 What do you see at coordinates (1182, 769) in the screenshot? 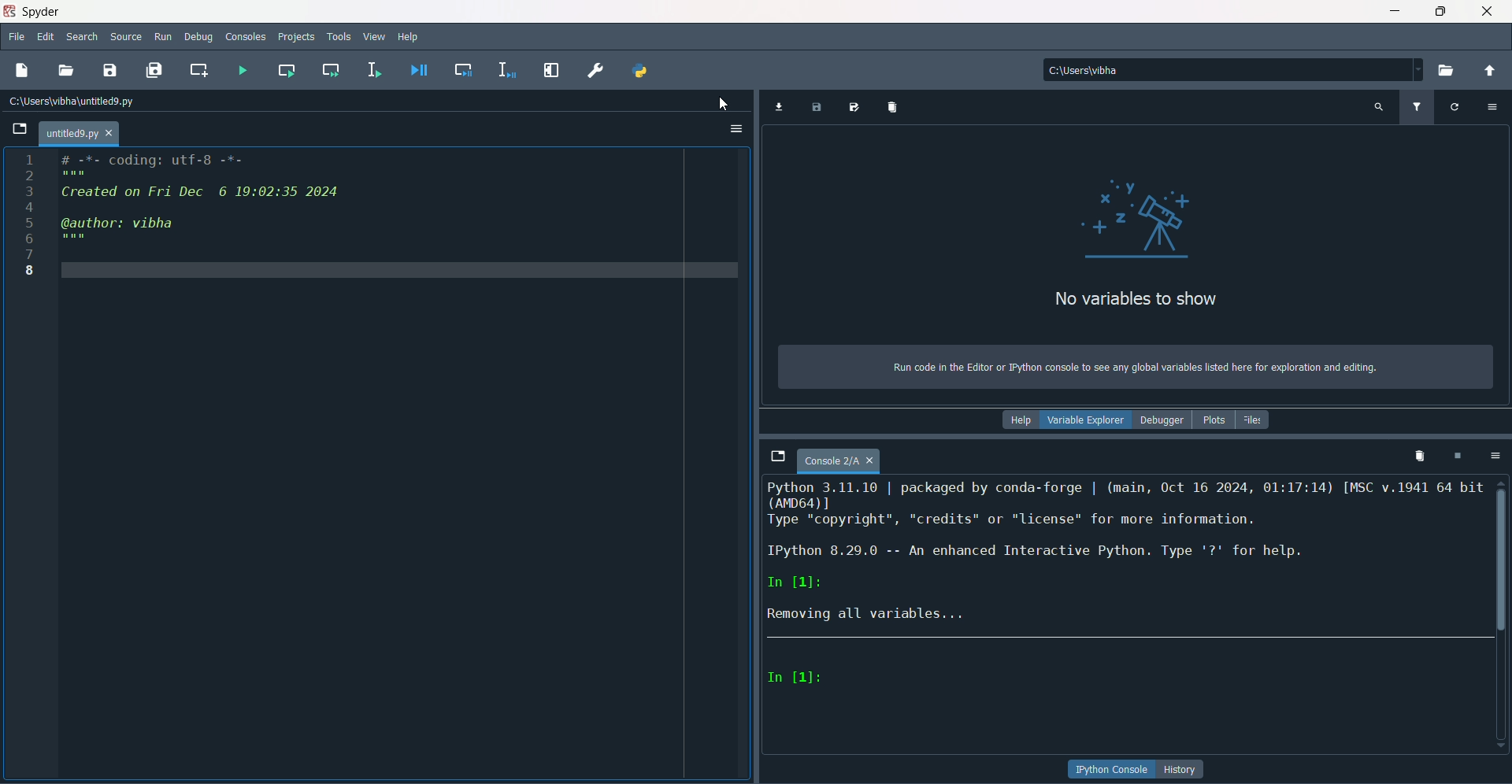
I see `button` at bounding box center [1182, 769].